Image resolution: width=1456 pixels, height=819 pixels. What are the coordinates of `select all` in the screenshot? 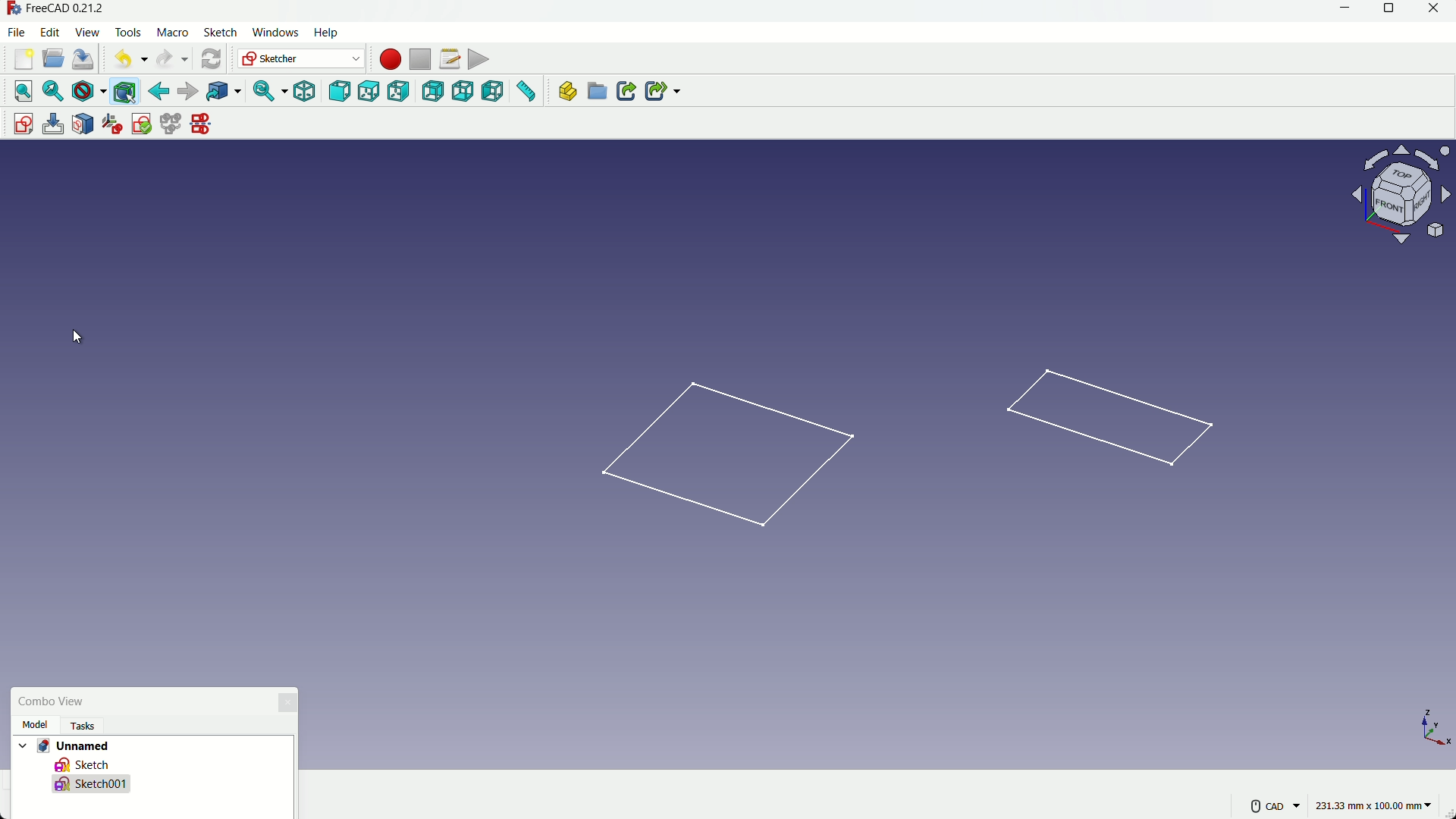 It's located at (23, 90).